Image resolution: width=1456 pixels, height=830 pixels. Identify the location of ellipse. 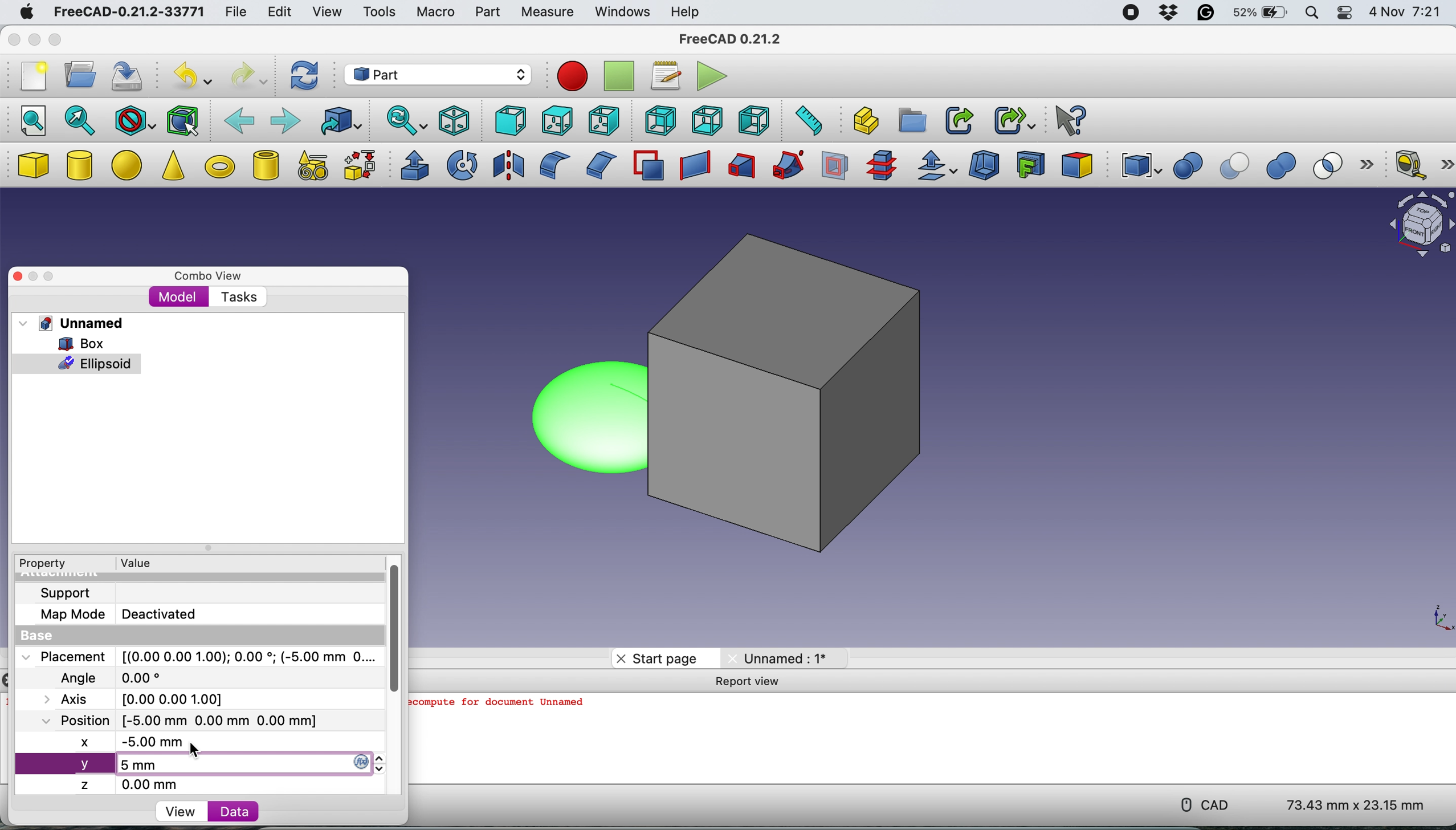
(129, 164).